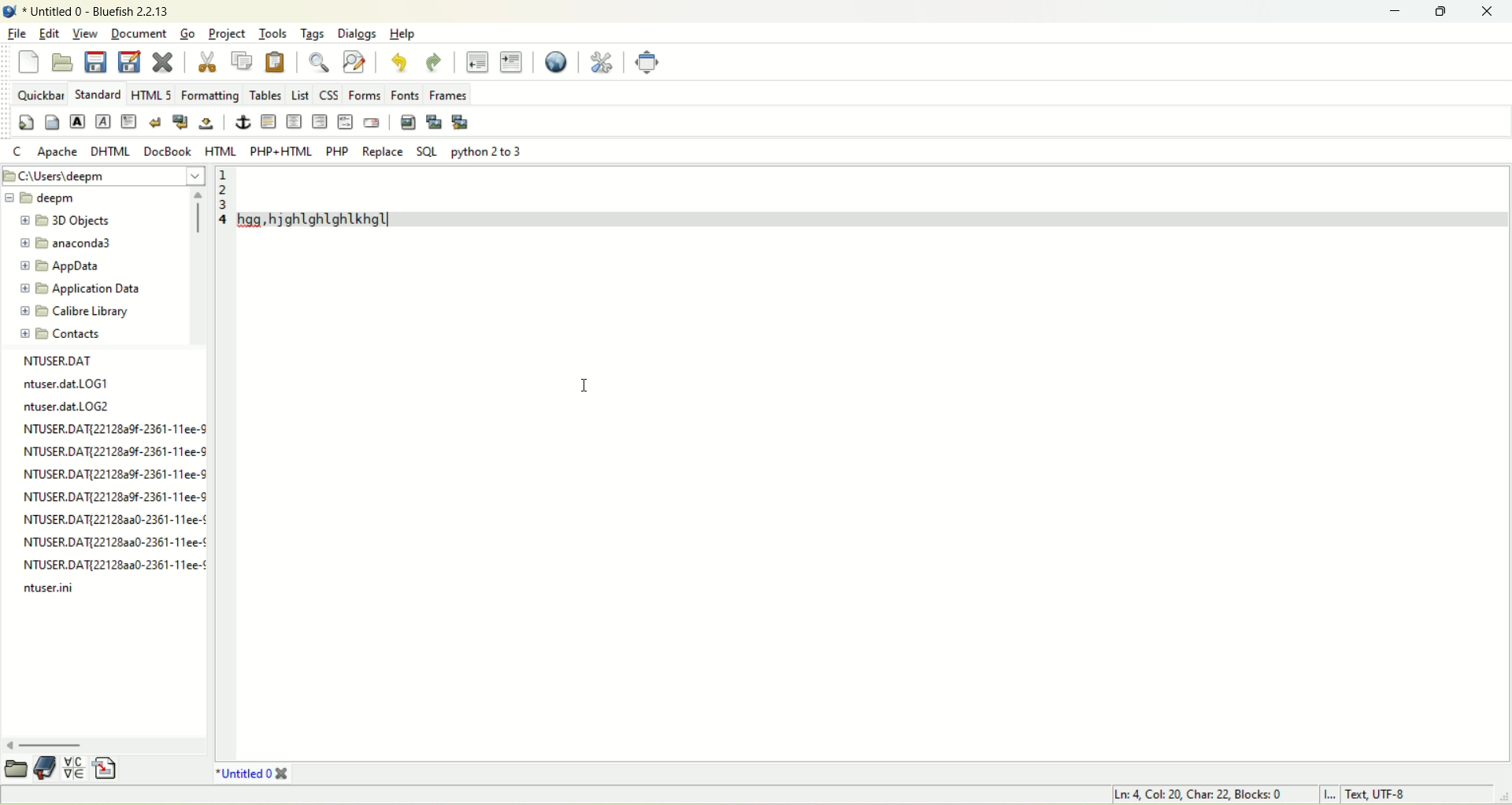 Image resolution: width=1512 pixels, height=805 pixels. Describe the element at coordinates (1198, 796) in the screenshot. I see `cursor position` at that location.